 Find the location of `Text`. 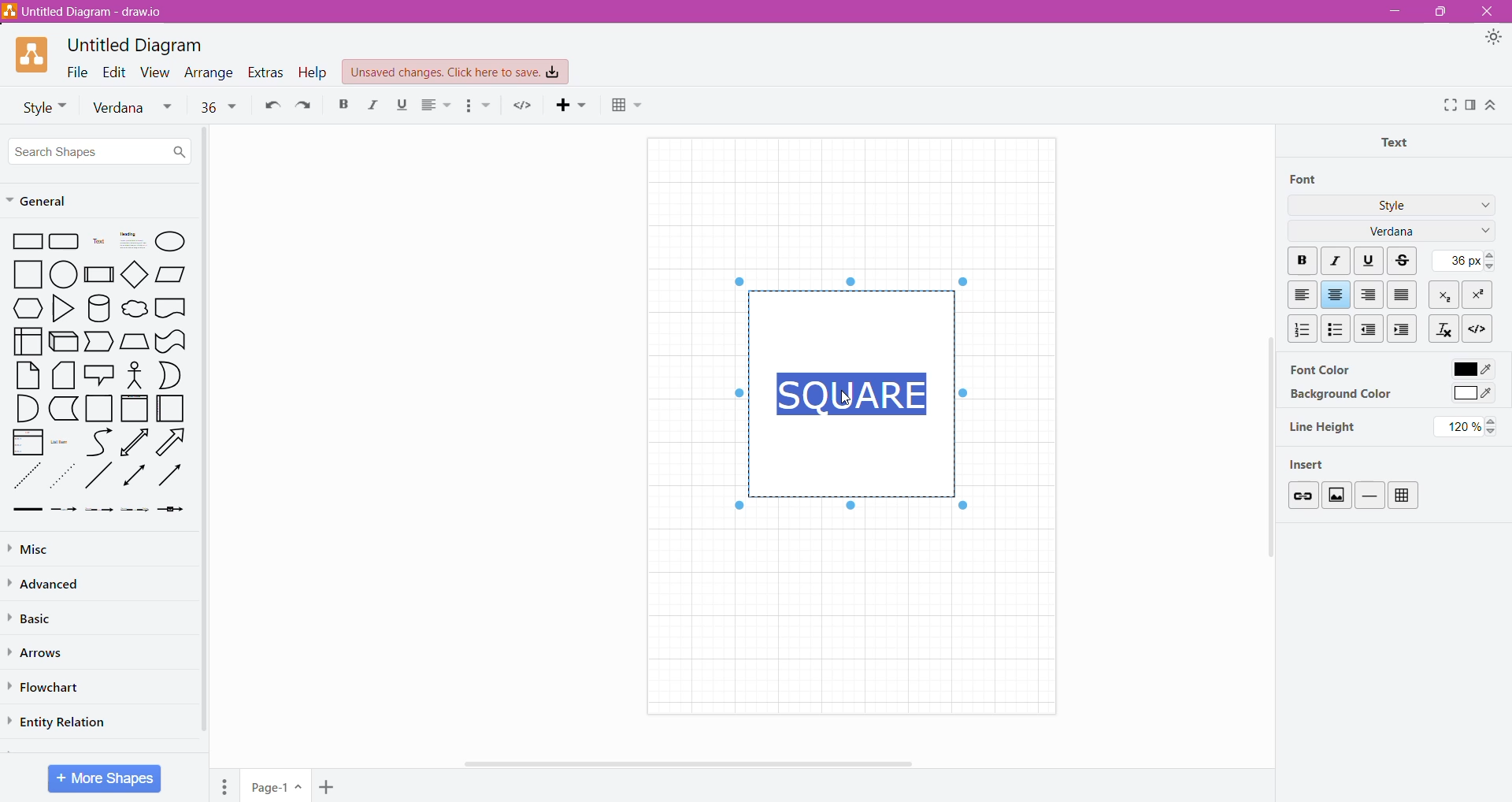

Text is located at coordinates (1399, 141).